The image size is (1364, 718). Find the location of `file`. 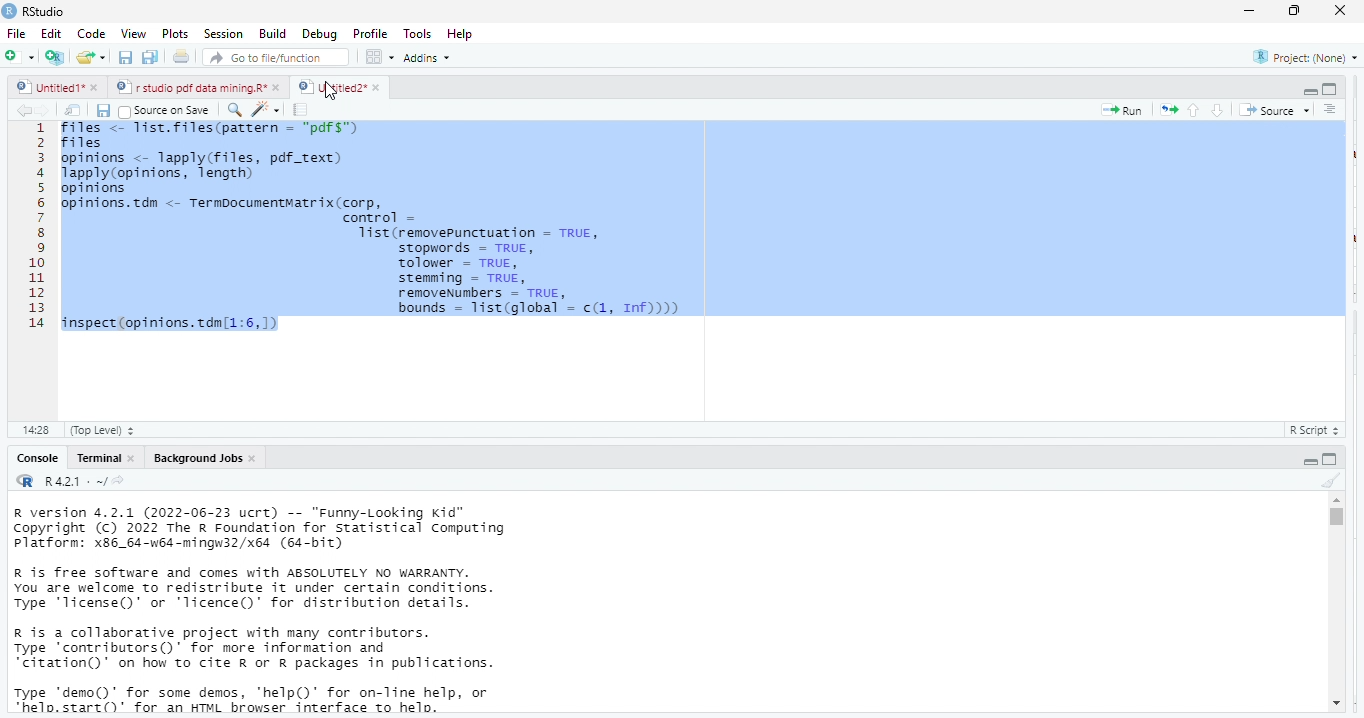

file is located at coordinates (18, 33).